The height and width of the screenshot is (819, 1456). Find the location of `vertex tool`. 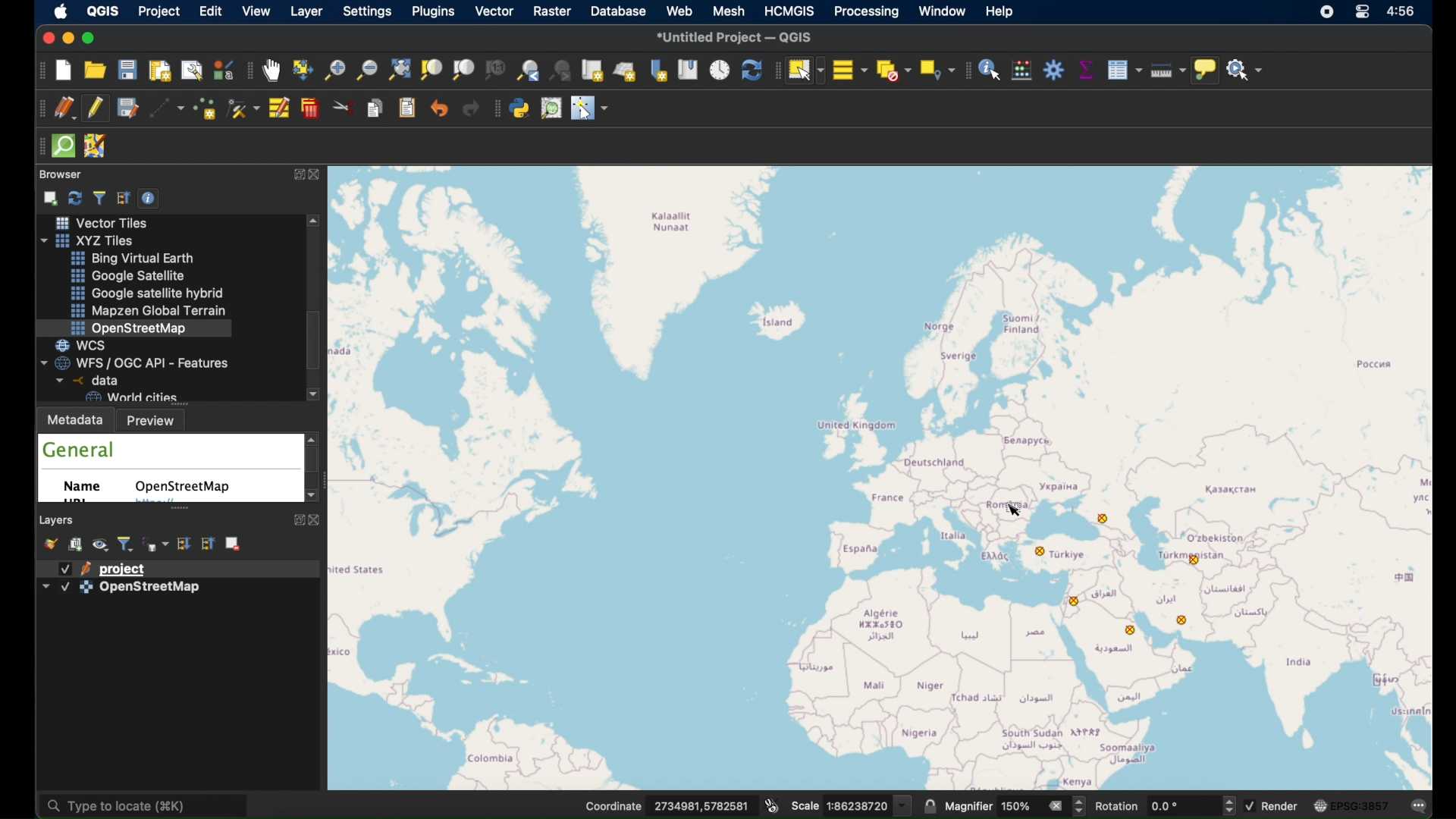

vertex tool is located at coordinates (243, 108).